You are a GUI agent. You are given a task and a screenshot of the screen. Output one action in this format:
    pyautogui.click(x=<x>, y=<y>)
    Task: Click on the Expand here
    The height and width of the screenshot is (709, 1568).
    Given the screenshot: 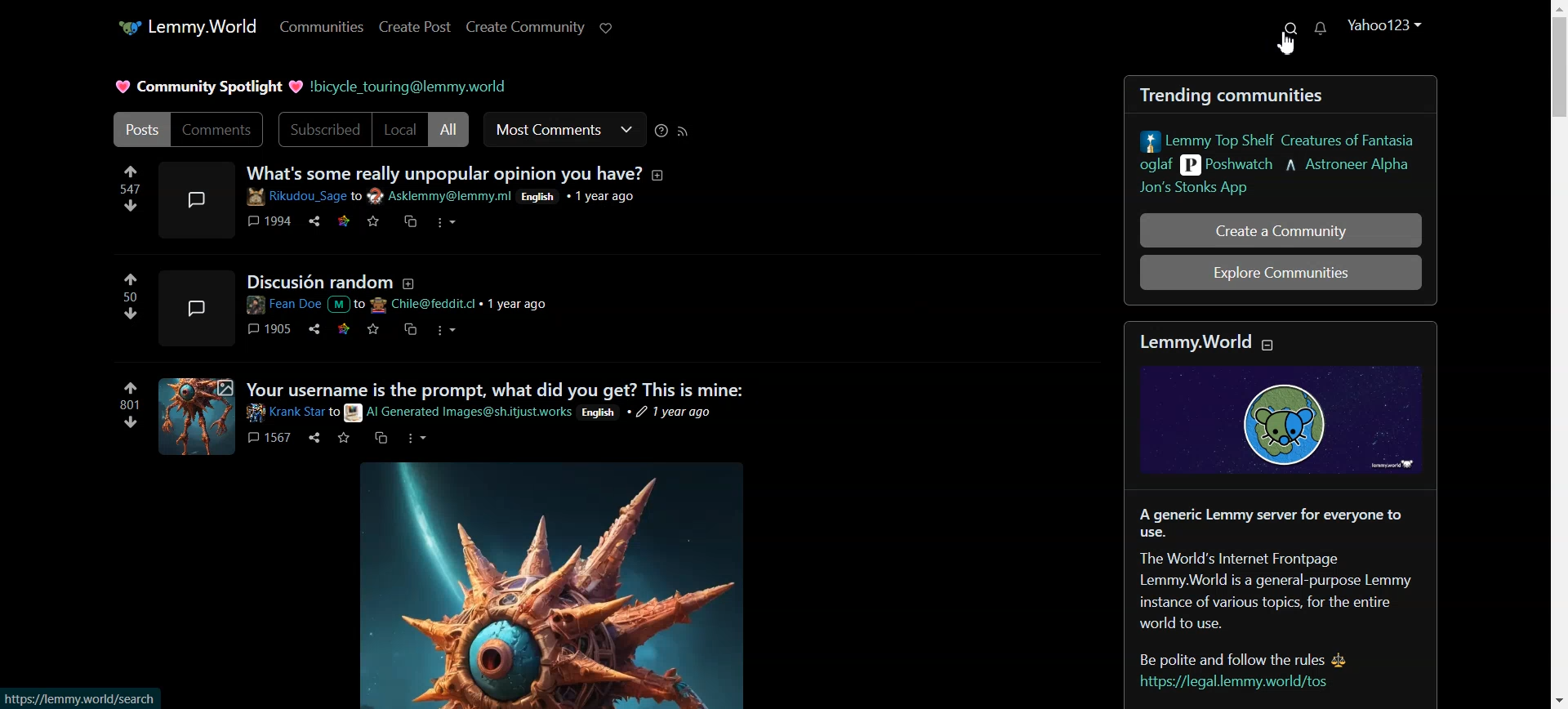 What is the action you would take?
    pyautogui.click(x=193, y=201)
    